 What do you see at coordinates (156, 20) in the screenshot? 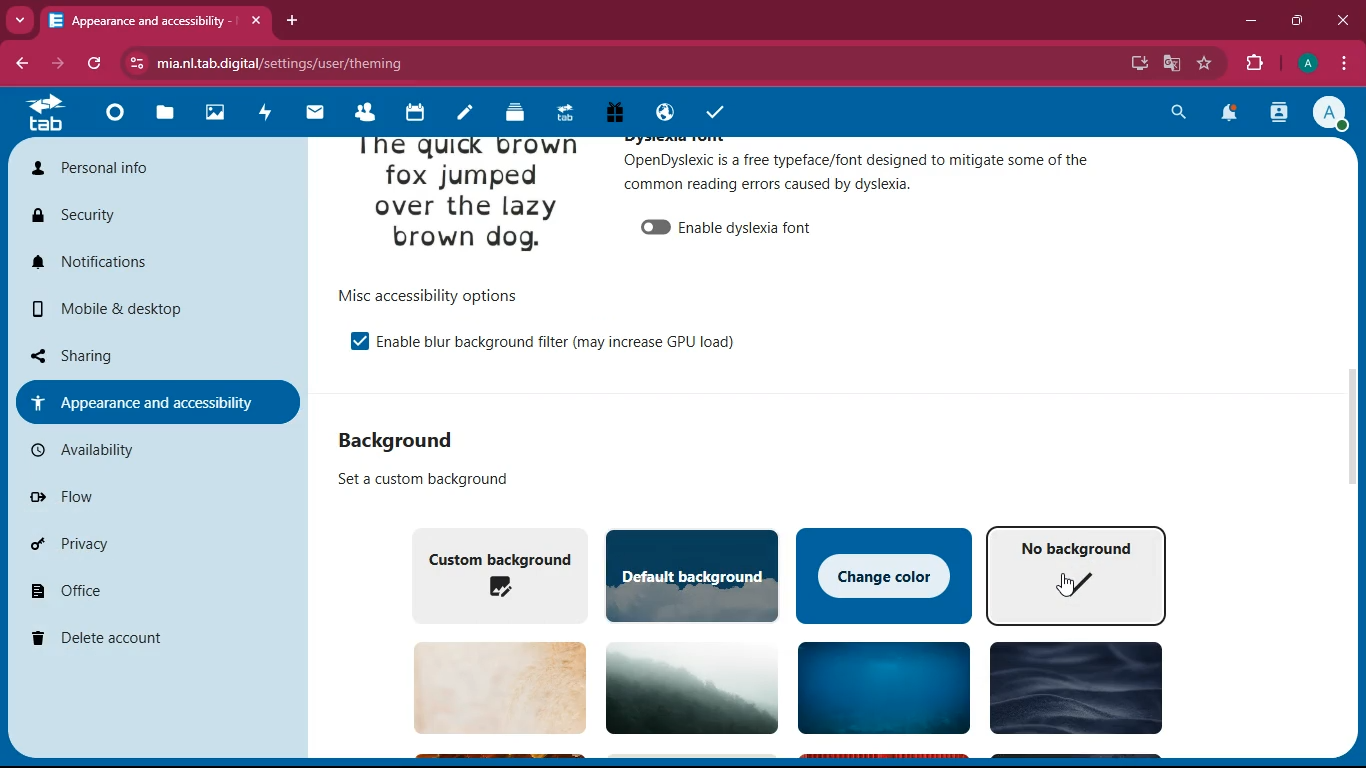
I see `tab` at bounding box center [156, 20].